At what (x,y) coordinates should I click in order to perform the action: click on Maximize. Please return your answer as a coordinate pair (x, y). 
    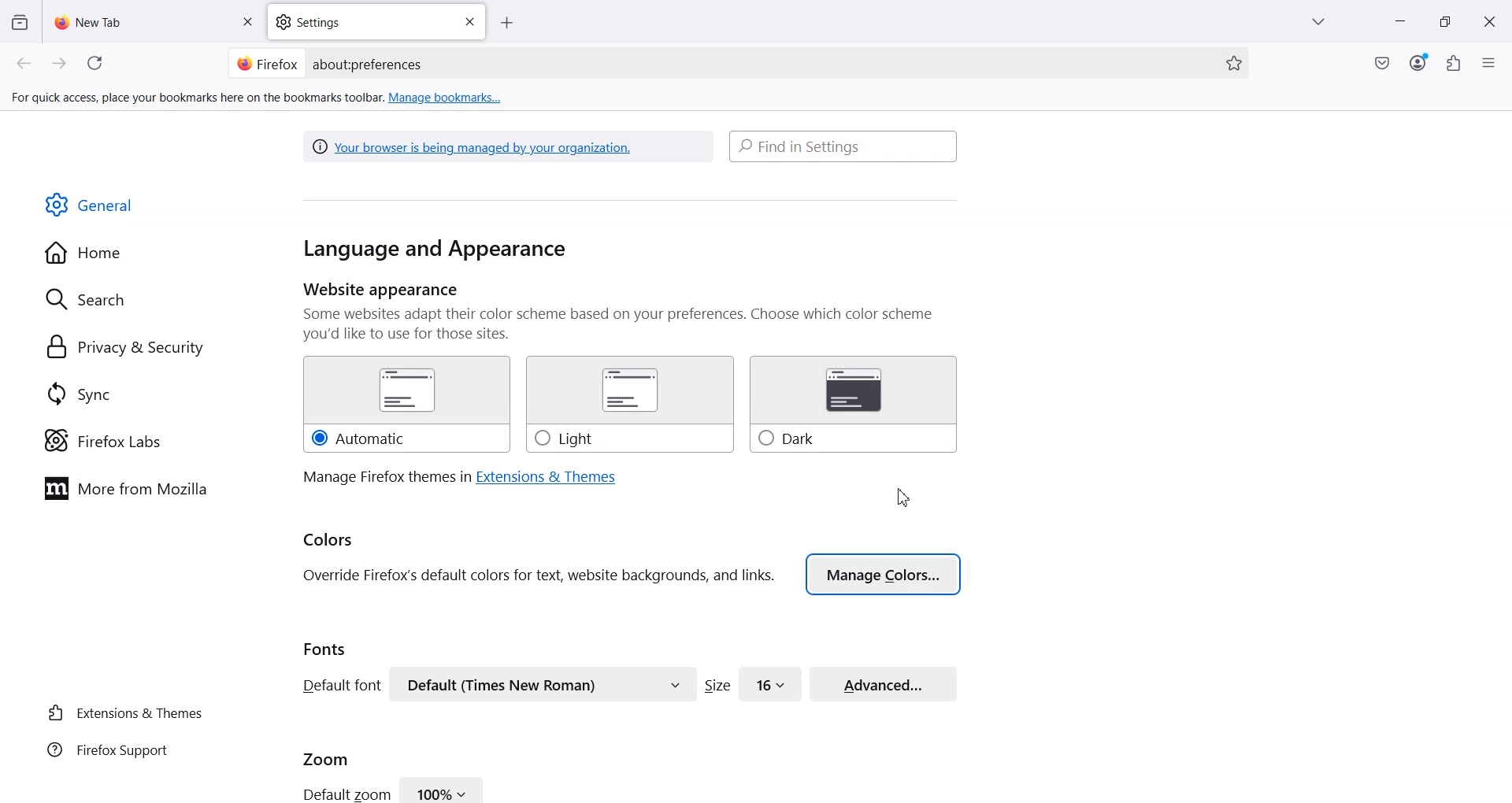
    Looking at the image, I should click on (1445, 22).